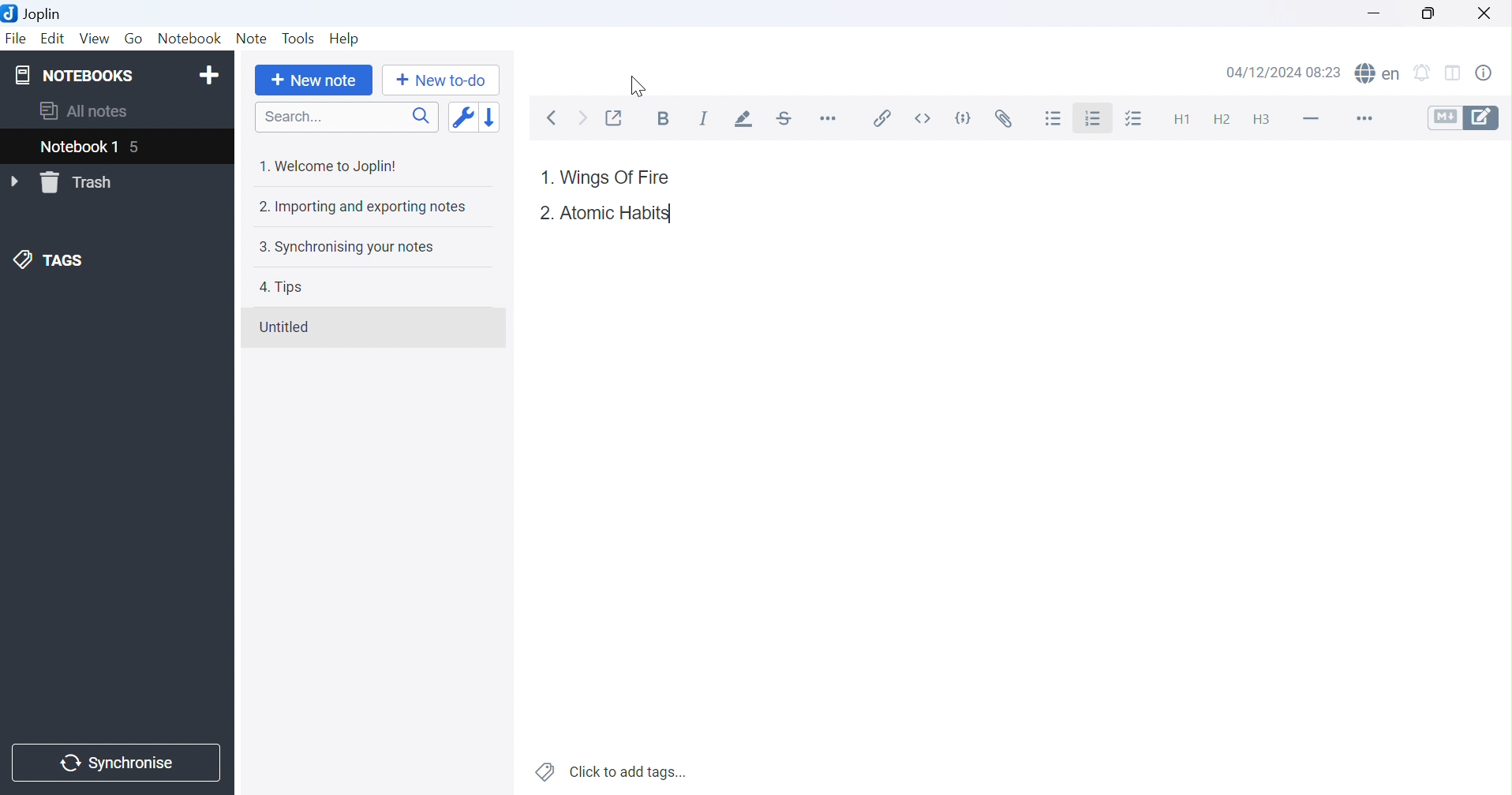 The height and width of the screenshot is (795, 1512). What do you see at coordinates (143, 148) in the screenshot?
I see `5` at bounding box center [143, 148].